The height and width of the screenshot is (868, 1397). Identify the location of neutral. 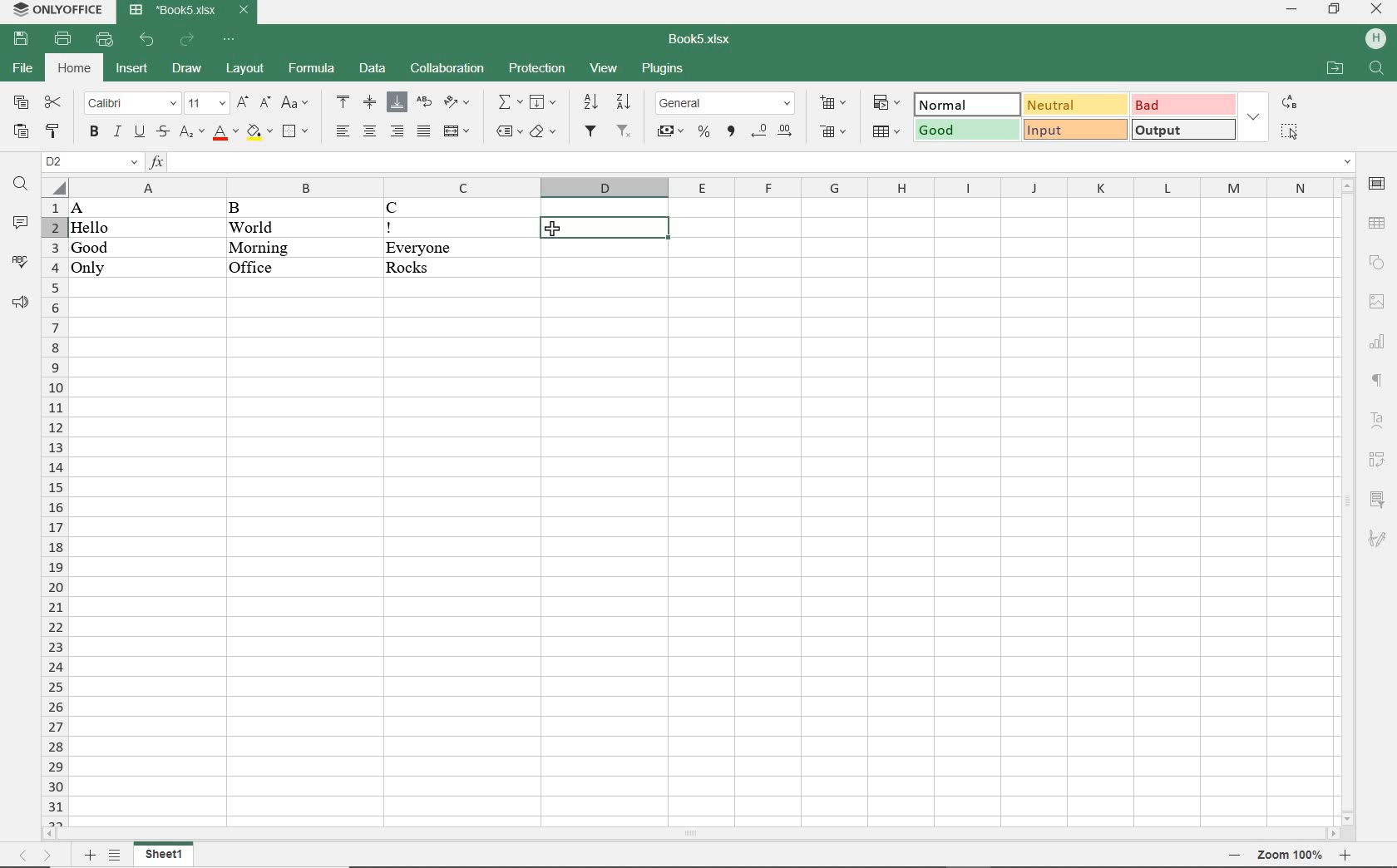
(1074, 106).